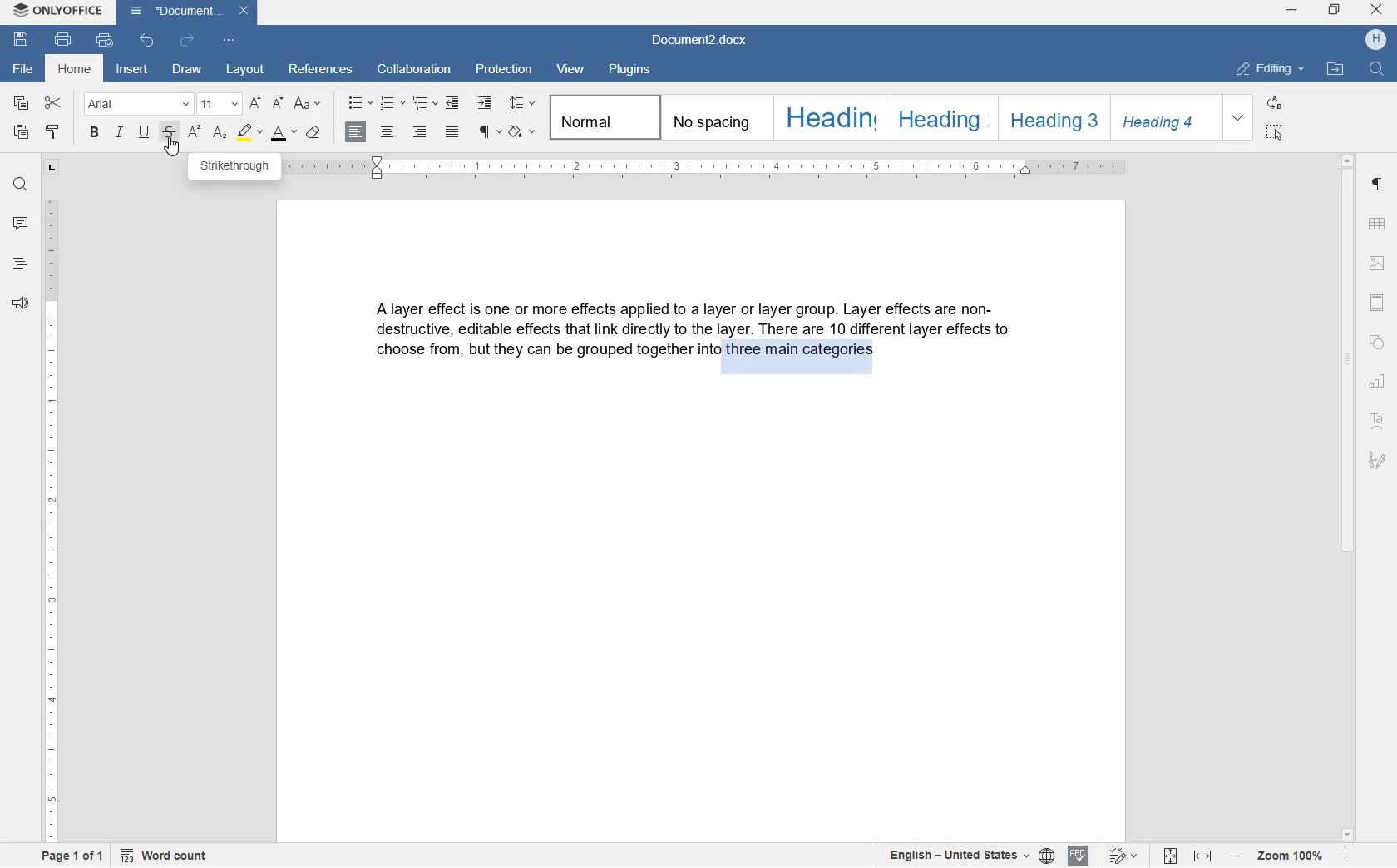  Describe the element at coordinates (713, 116) in the screenshot. I see `no spacing` at that location.